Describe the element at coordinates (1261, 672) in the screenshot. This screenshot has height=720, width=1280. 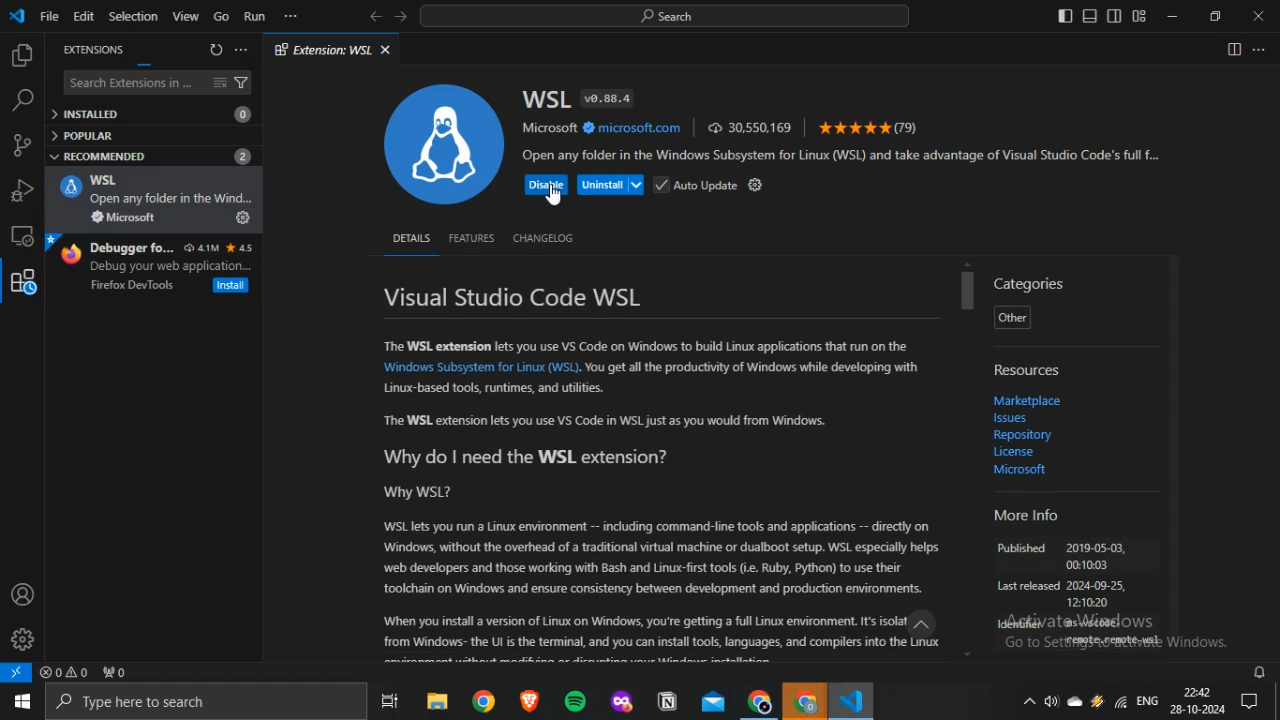
I see `notifications` at that location.